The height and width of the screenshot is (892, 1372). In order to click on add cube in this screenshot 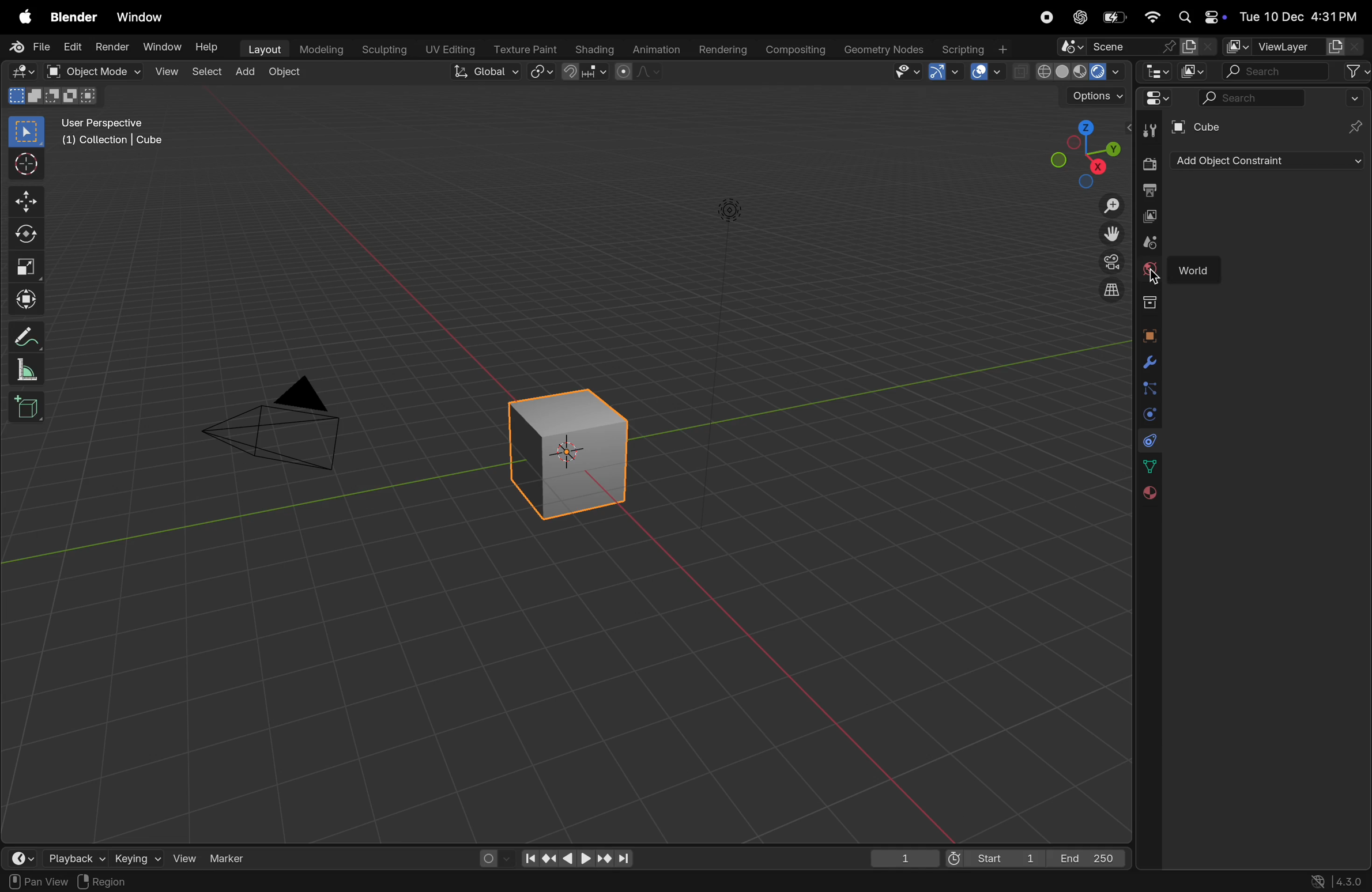, I will do `click(28, 406)`.